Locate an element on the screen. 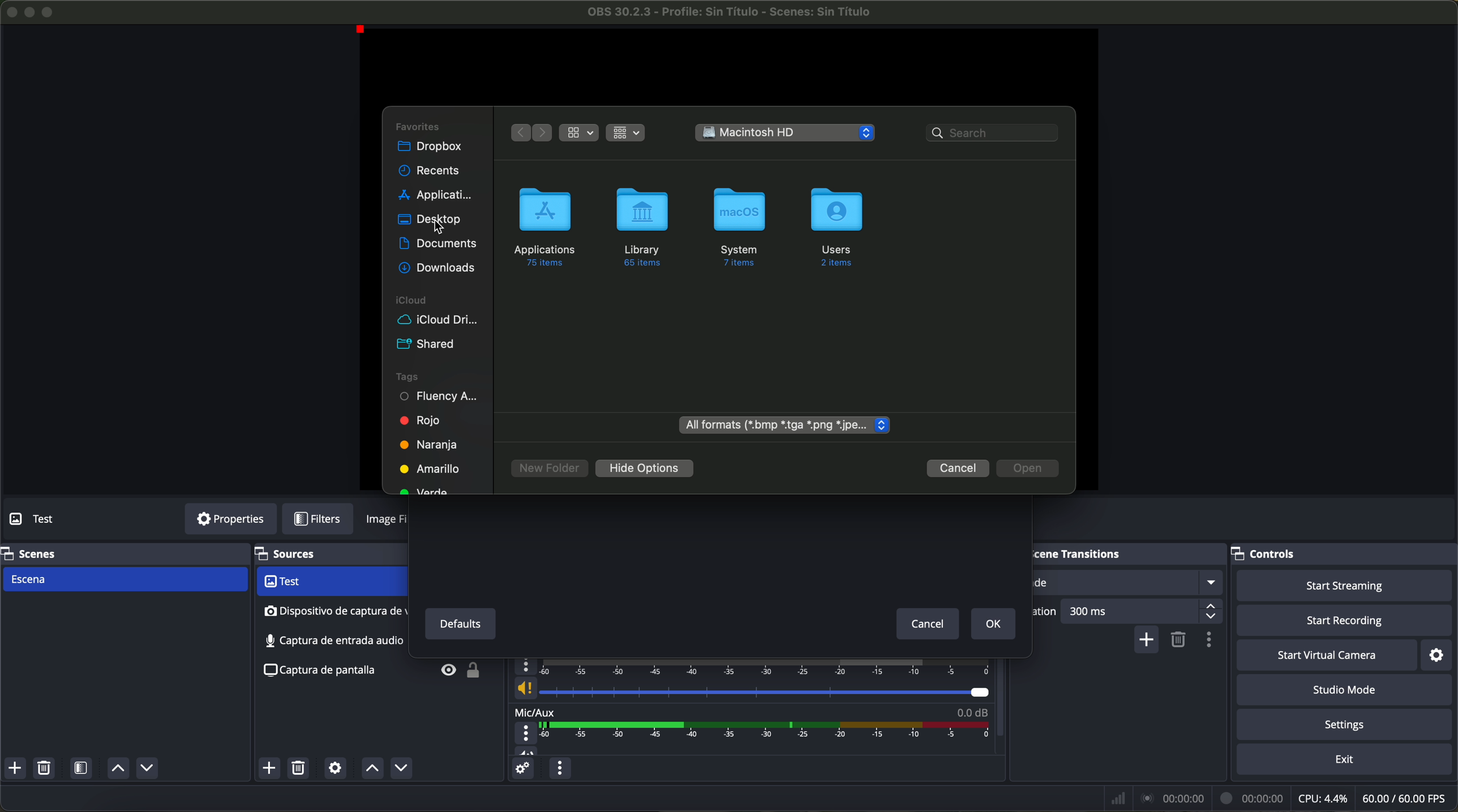  remove configurable transition is located at coordinates (1180, 641).